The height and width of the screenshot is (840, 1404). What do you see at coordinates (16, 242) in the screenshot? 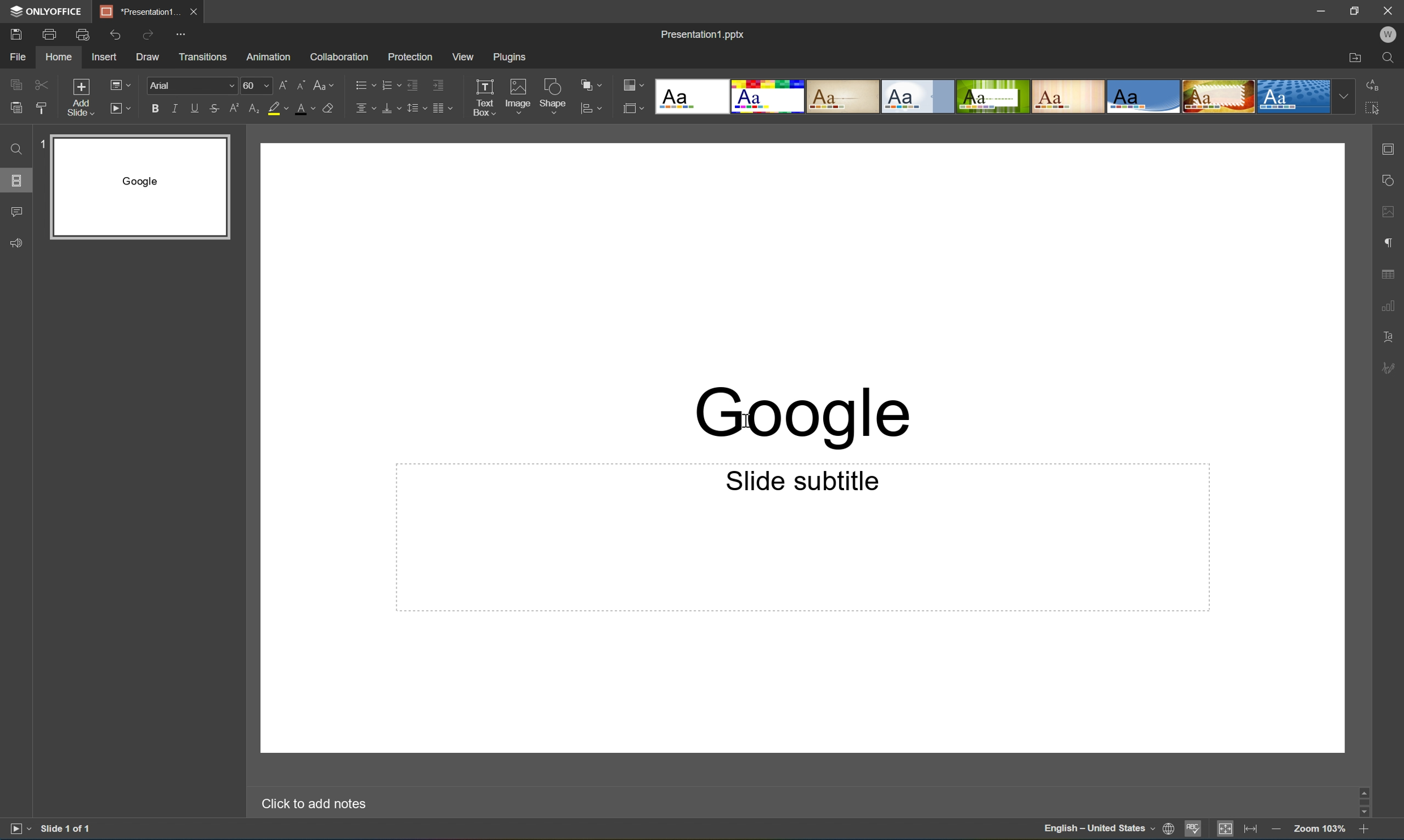
I see `Feedback and support` at bounding box center [16, 242].